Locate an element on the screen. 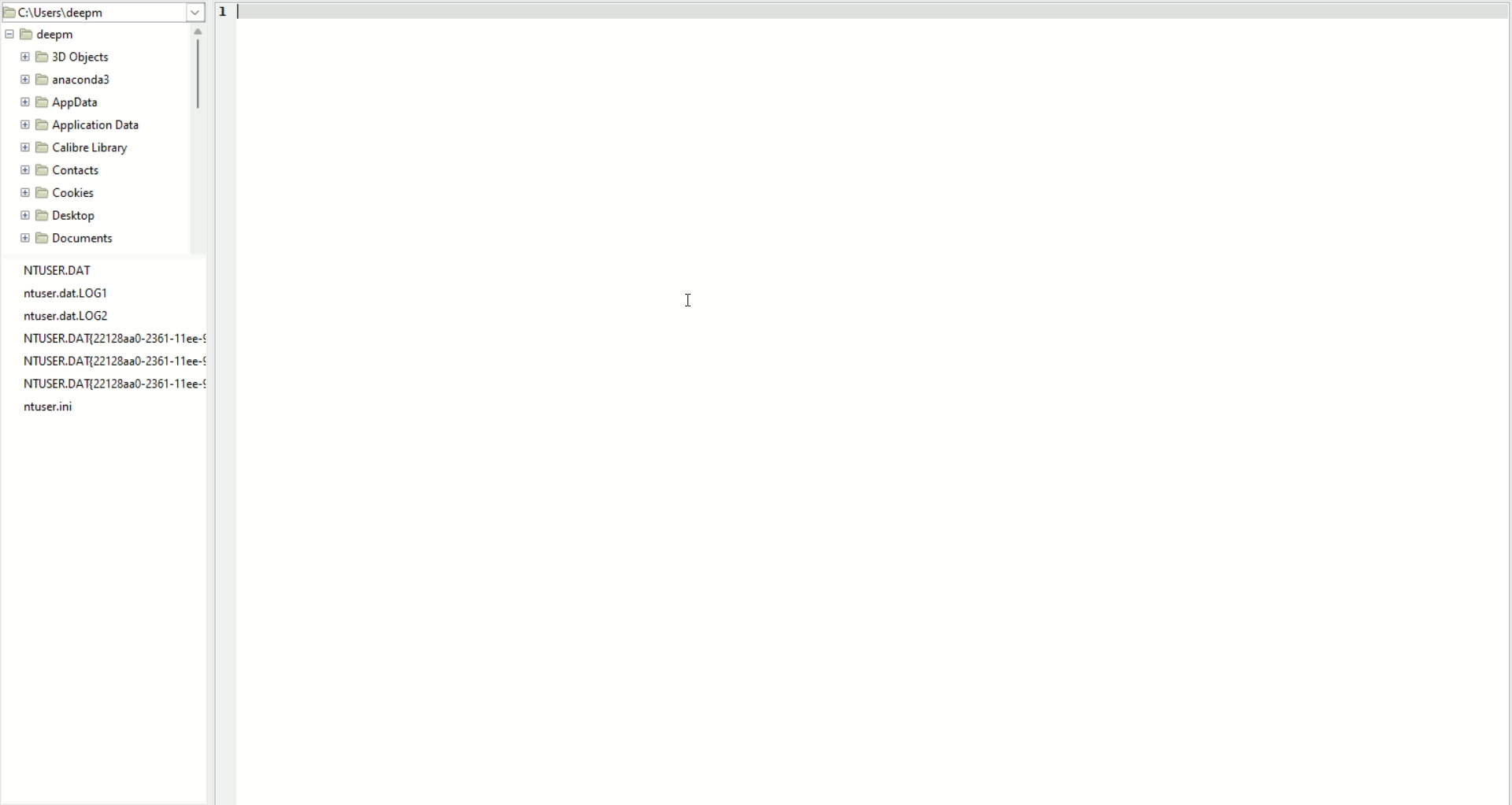 This screenshot has height=805, width=1512. file name is located at coordinates (61, 270).